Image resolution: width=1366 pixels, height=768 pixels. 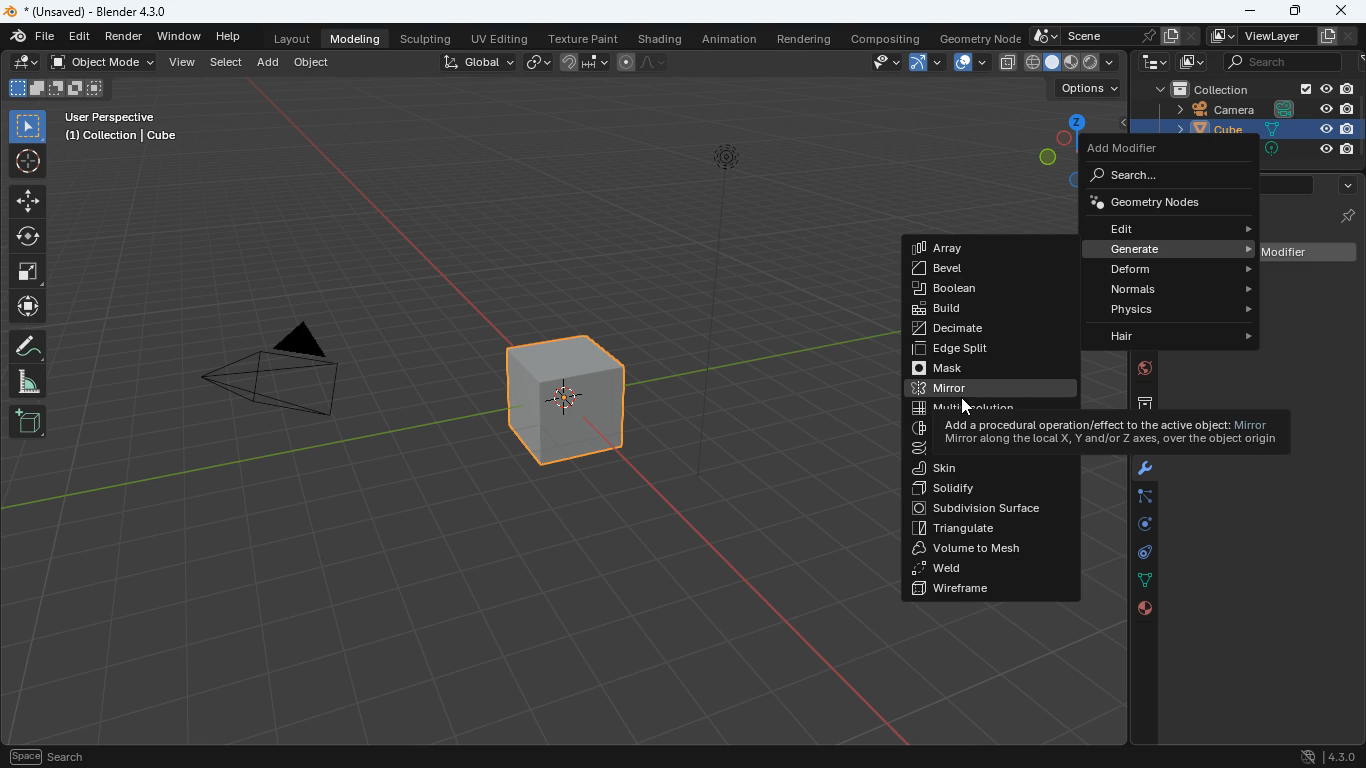 What do you see at coordinates (354, 39) in the screenshot?
I see `modeling` at bounding box center [354, 39].